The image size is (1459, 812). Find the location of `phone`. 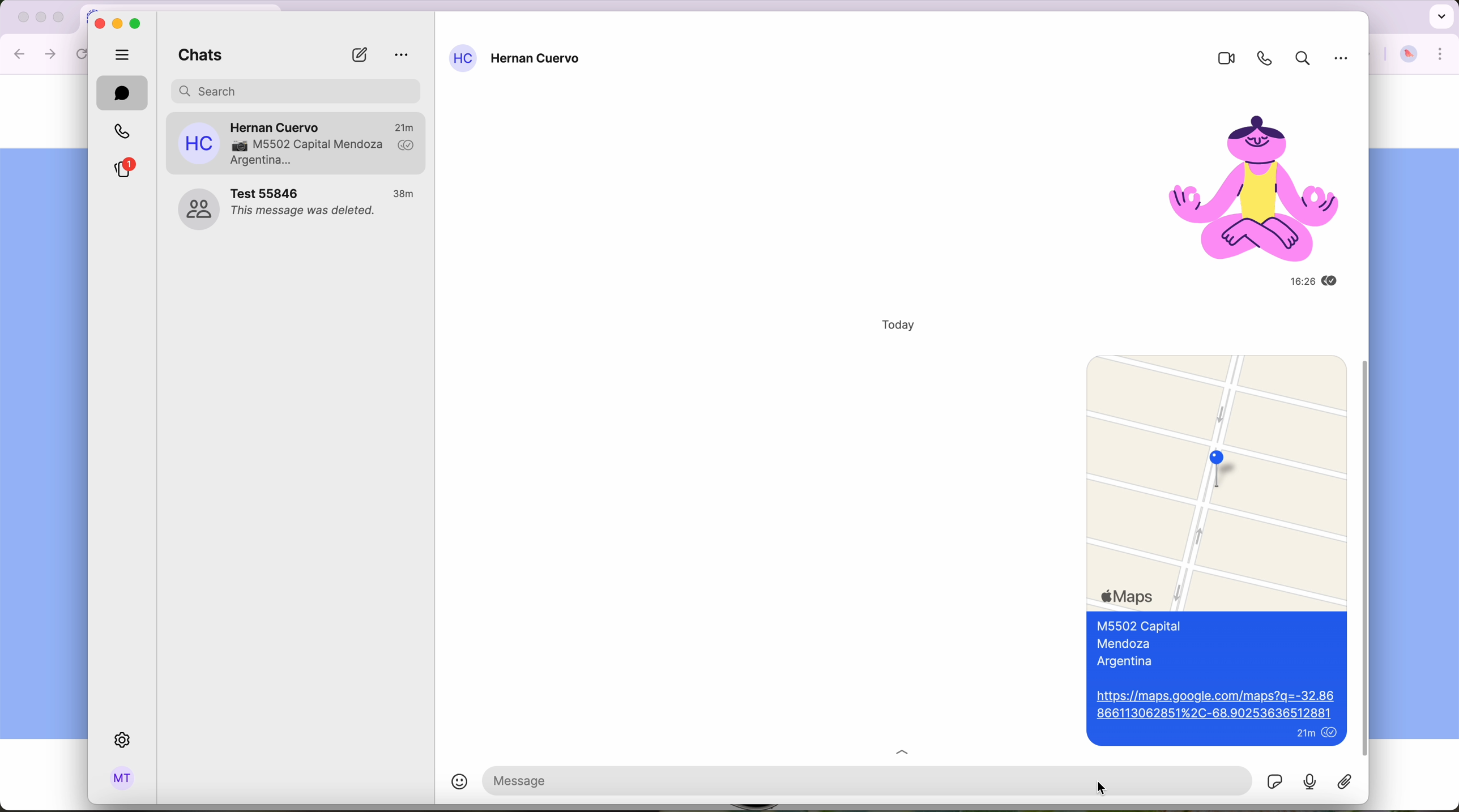

phone is located at coordinates (1261, 58).